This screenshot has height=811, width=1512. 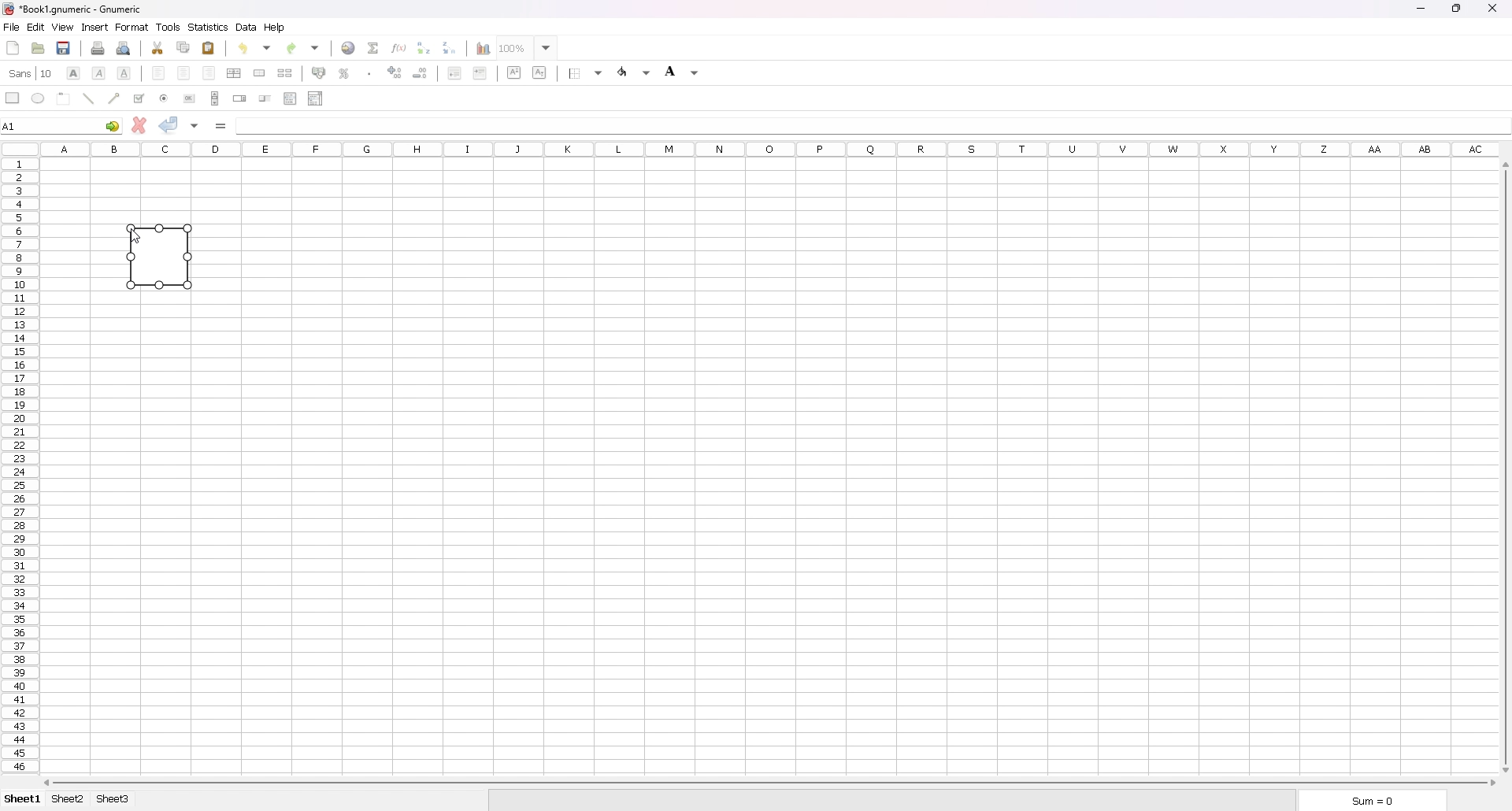 What do you see at coordinates (421, 72) in the screenshot?
I see `decrease decimal` at bounding box center [421, 72].